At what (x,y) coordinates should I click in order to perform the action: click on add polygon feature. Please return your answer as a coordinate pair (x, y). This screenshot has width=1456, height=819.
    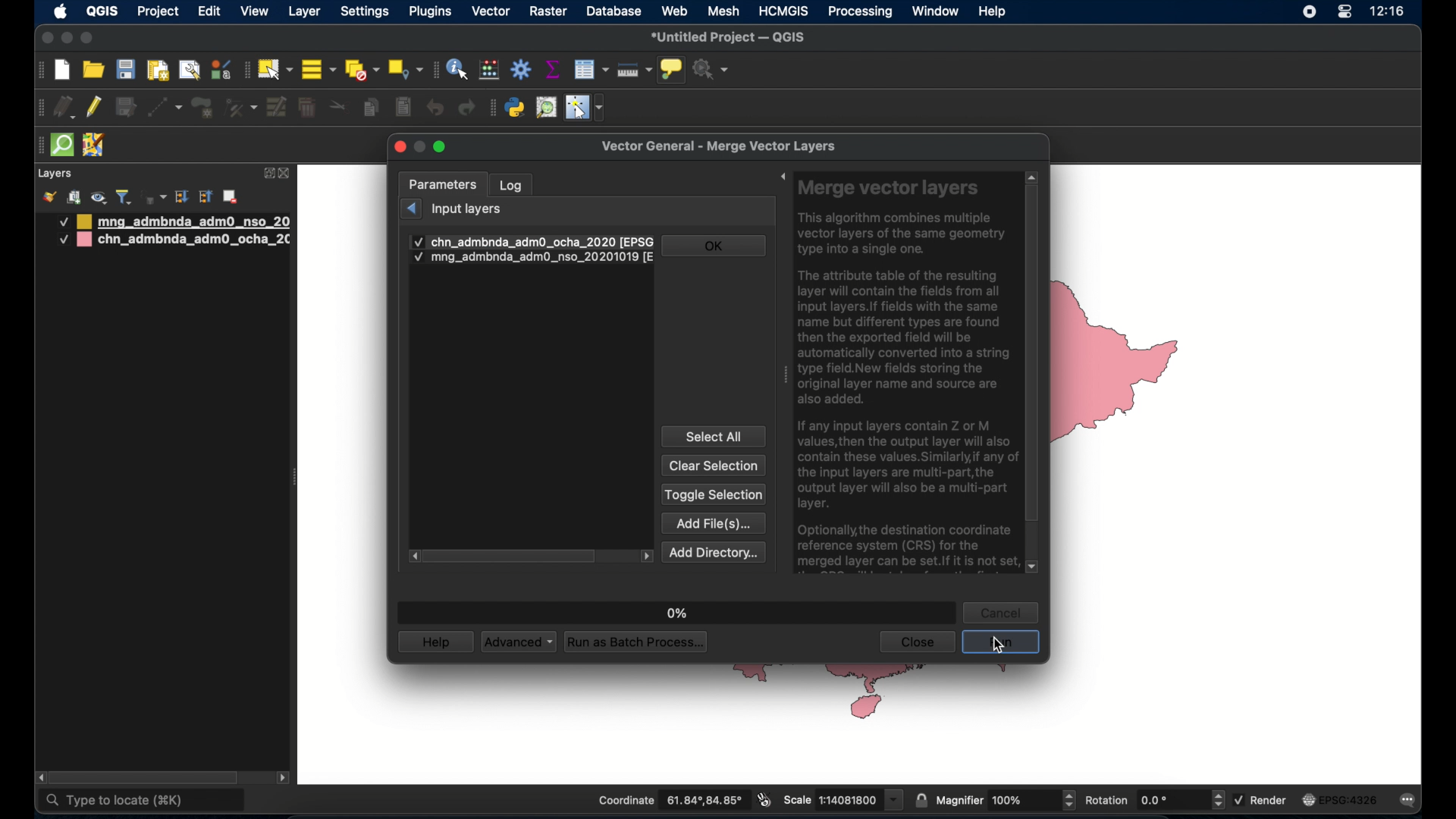
    Looking at the image, I should click on (202, 108).